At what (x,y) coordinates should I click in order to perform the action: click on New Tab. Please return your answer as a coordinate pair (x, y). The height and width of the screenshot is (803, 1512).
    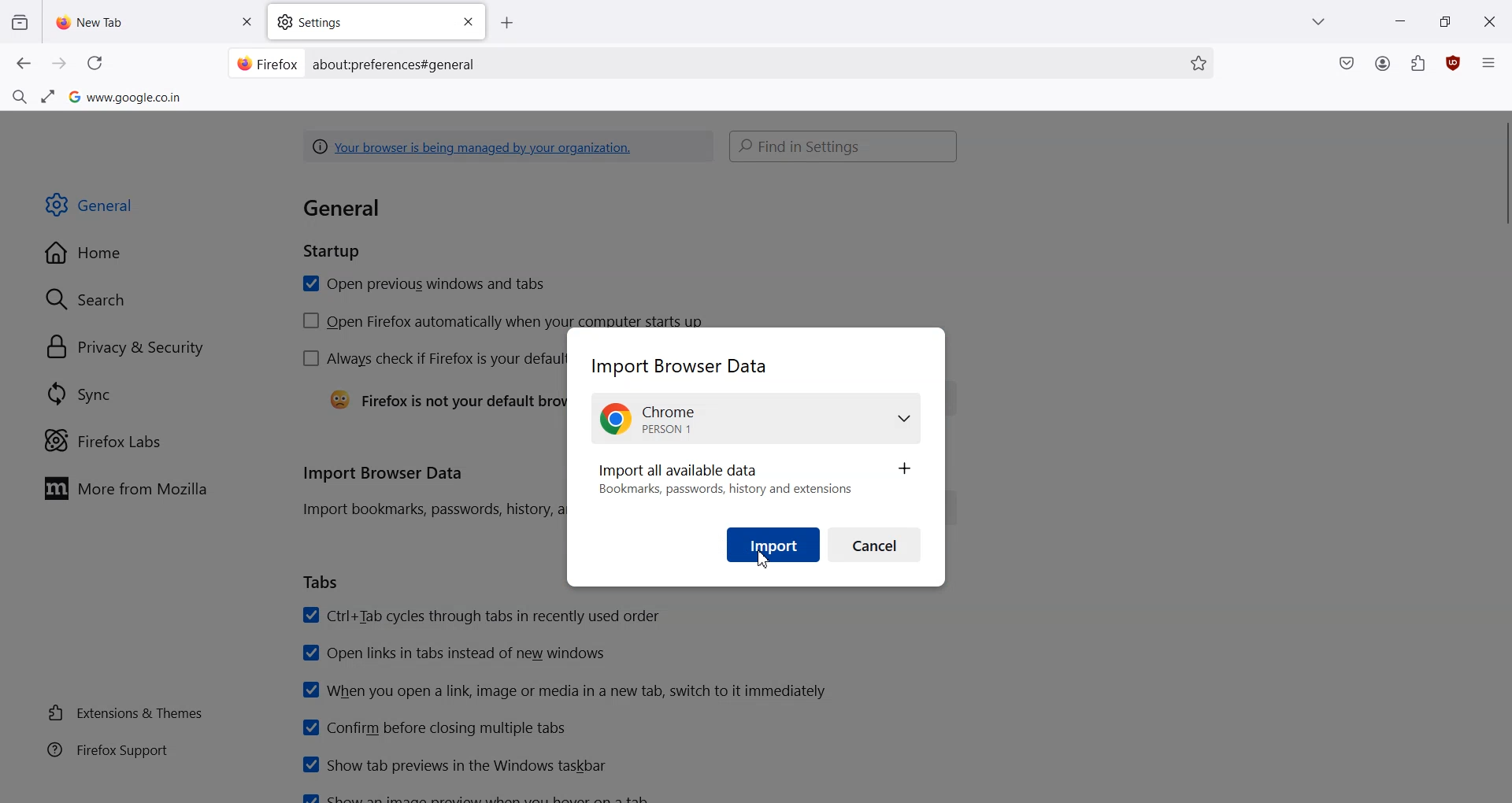
    Looking at the image, I should click on (135, 20).